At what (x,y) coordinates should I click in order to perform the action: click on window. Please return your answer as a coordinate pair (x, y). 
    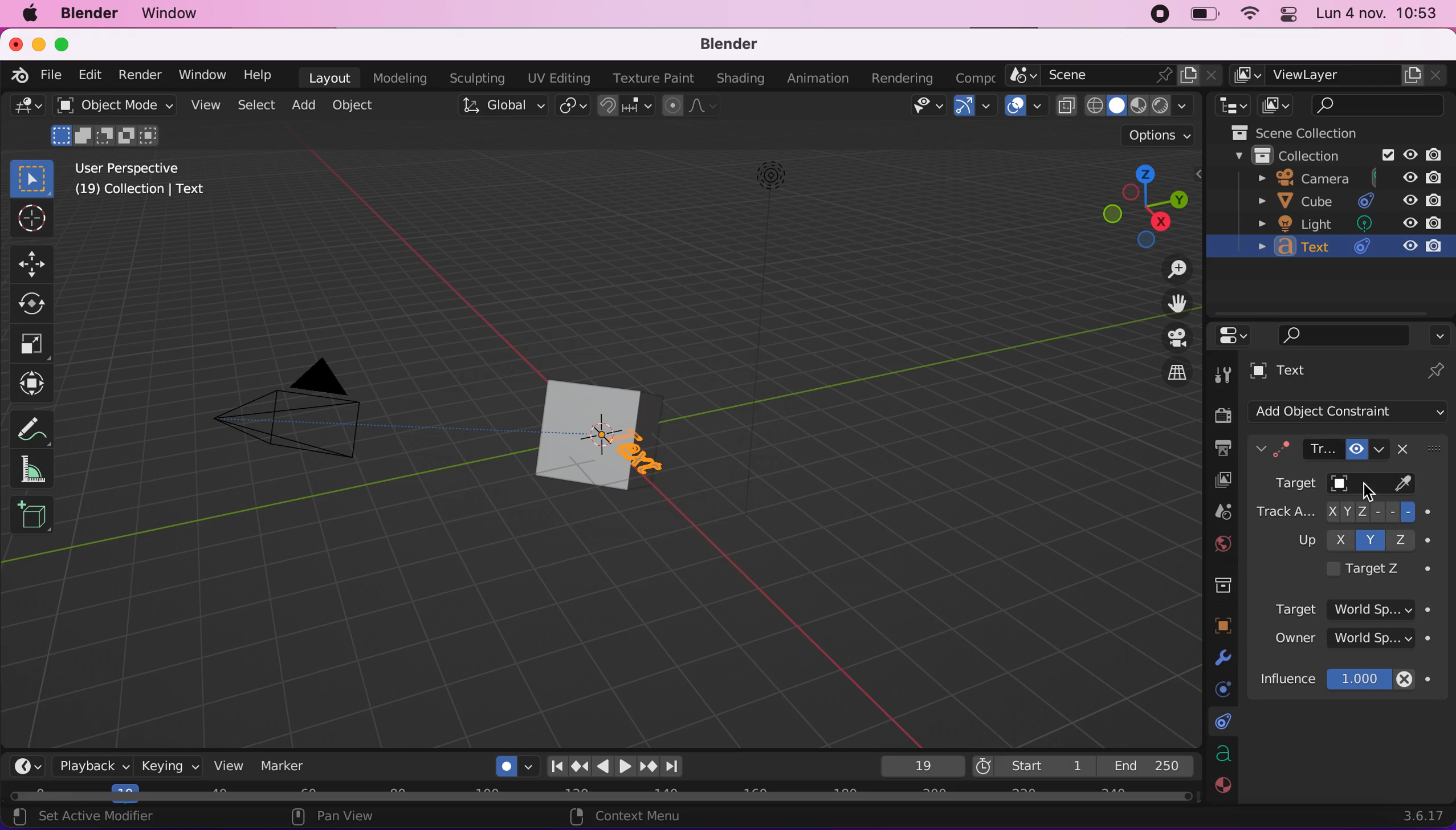
    Looking at the image, I should click on (204, 77).